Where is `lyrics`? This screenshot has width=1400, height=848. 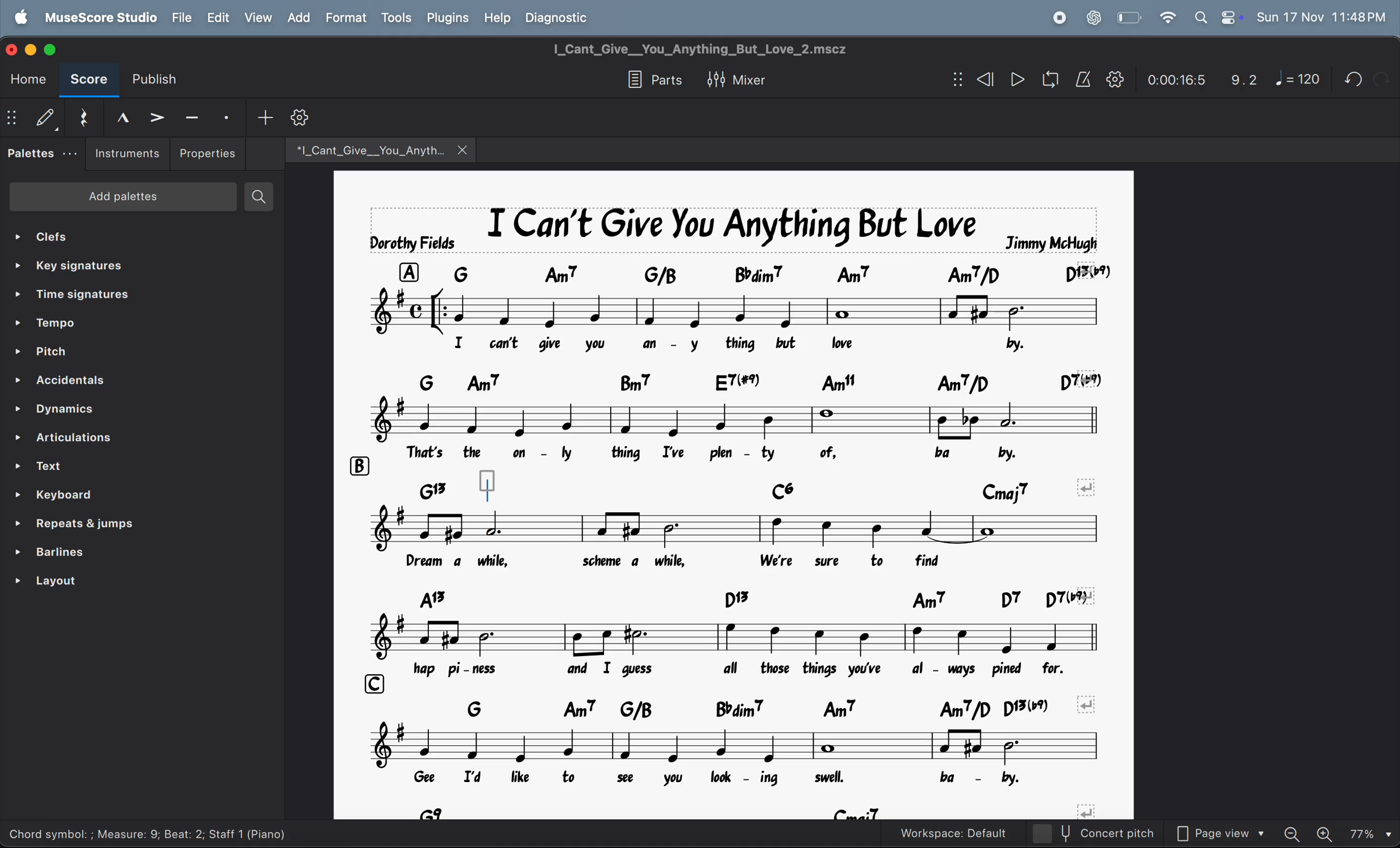 lyrics is located at coordinates (695, 561).